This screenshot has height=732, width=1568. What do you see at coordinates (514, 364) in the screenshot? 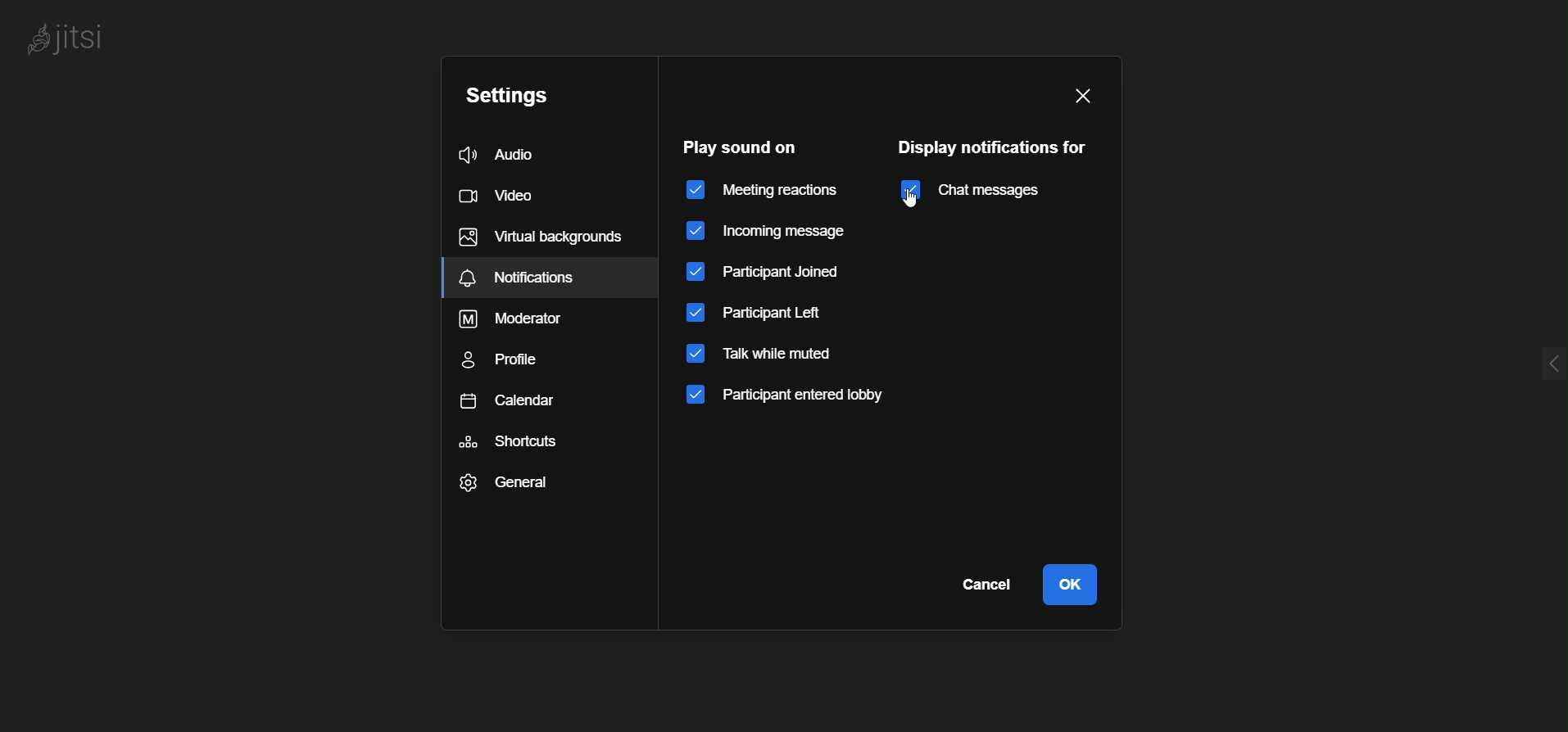
I see `profile` at bounding box center [514, 364].